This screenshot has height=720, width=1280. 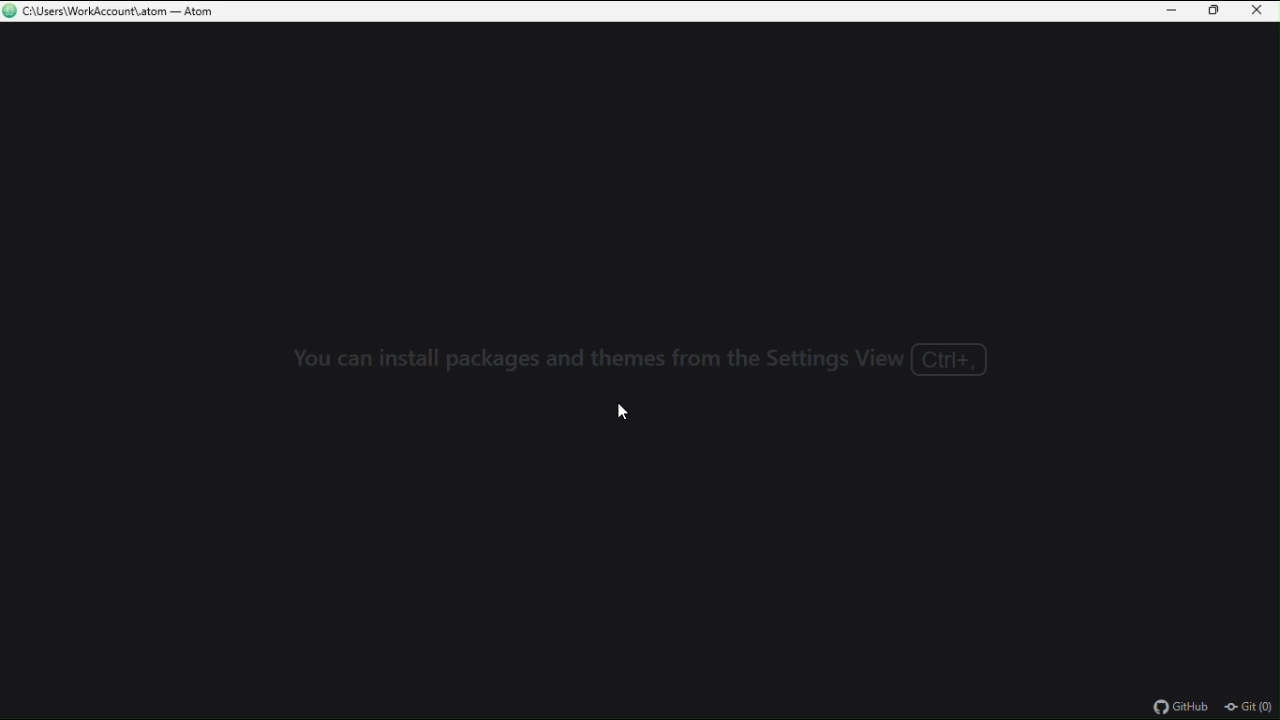 What do you see at coordinates (1251, 707) in the screenshot?
I see `git` at bounding box center [1251, 707].